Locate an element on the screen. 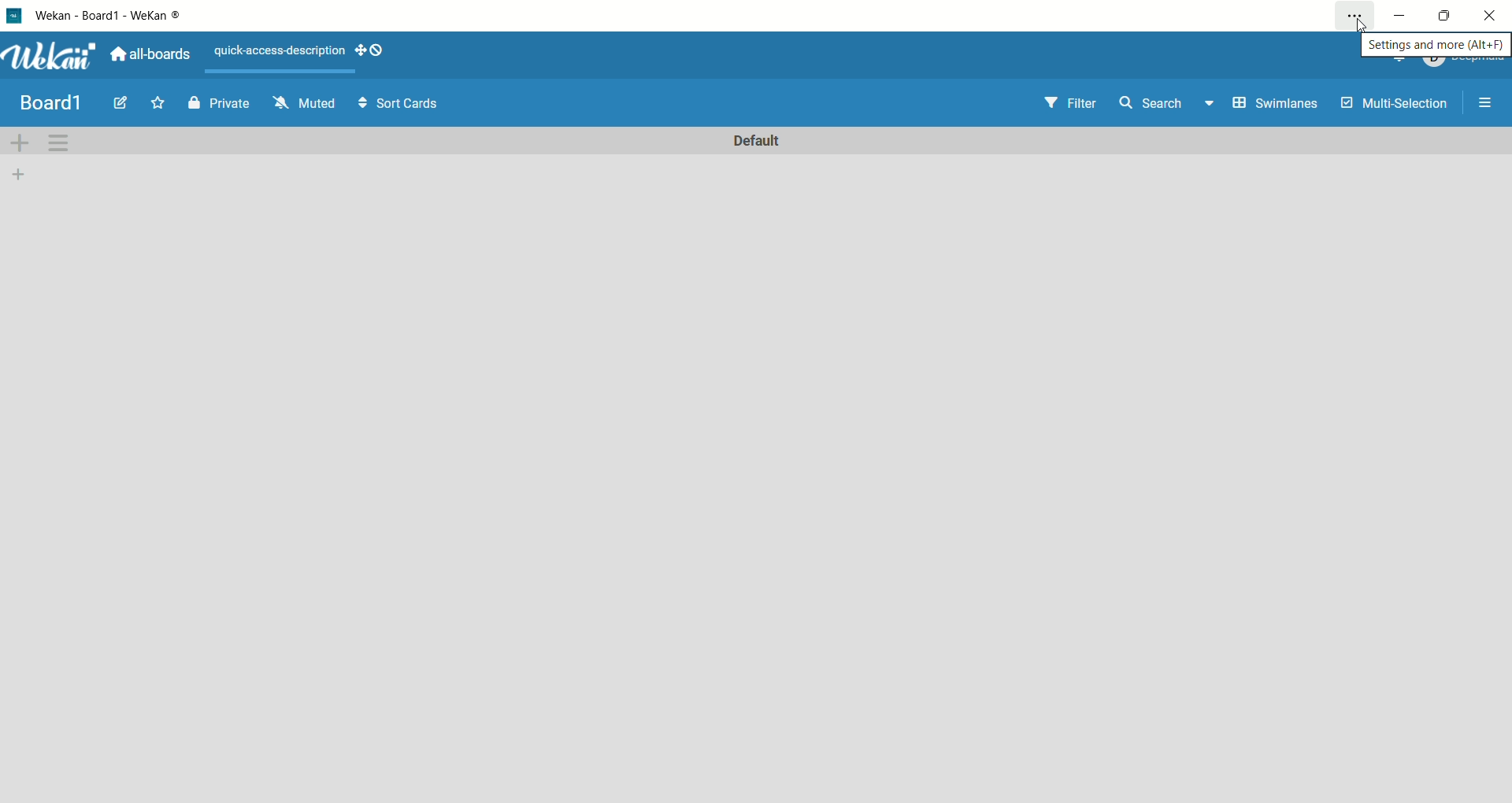  multi-selection is located at coordinates (1397, 102).